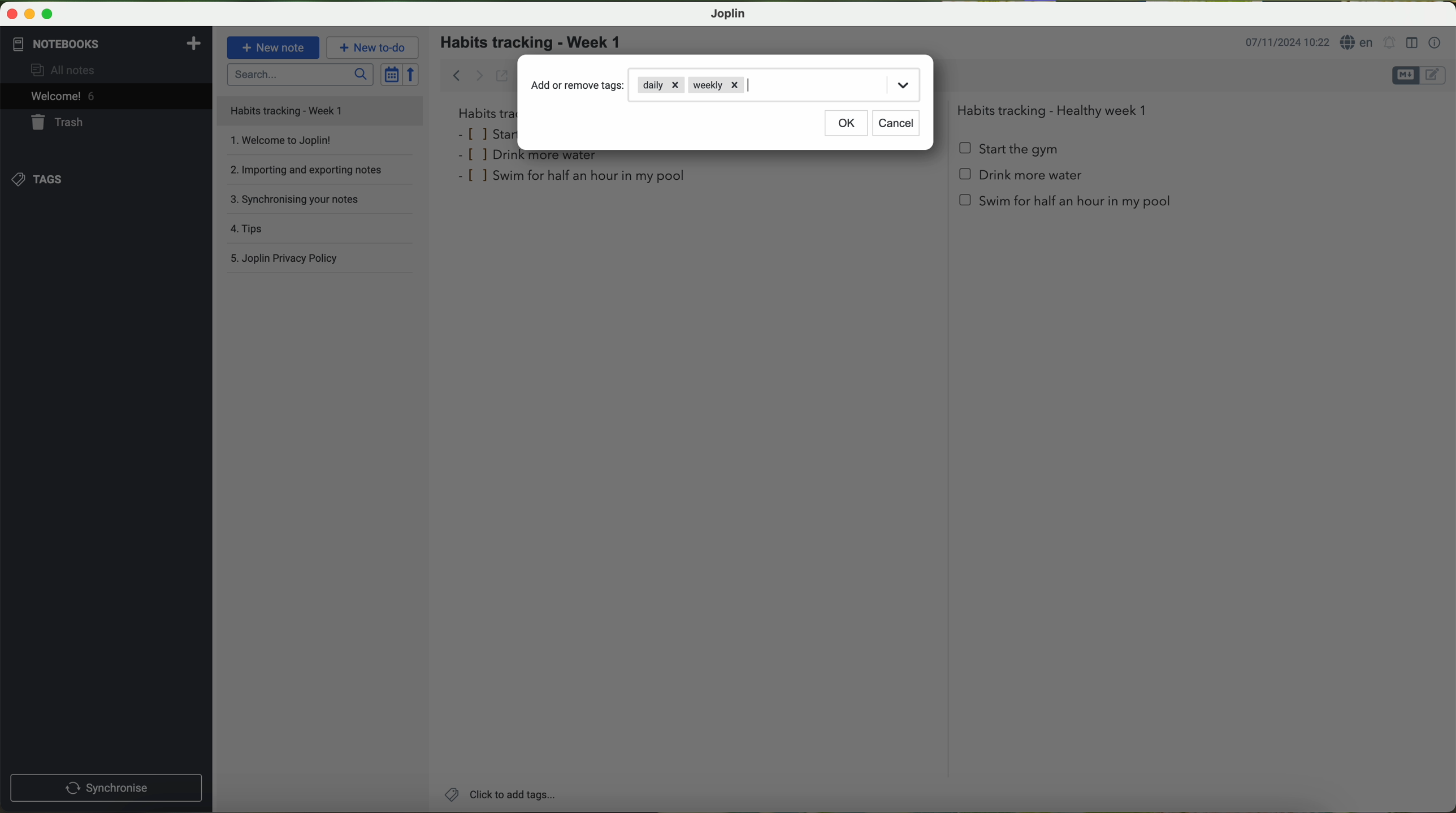 This screenshot has width=1456, height=813. I want to click on set alarm, so click(1390, 42).